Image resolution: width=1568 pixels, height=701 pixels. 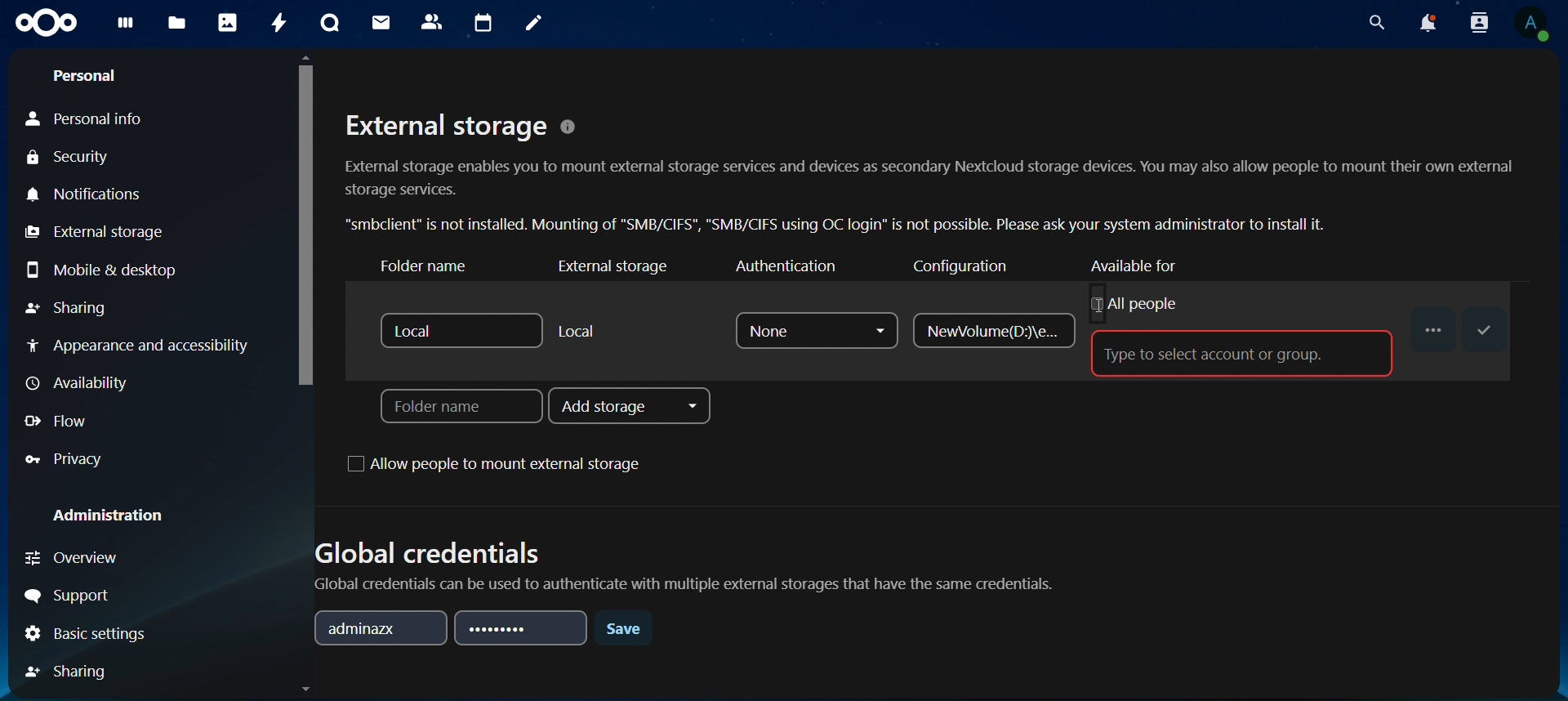 I want to click on support, so click(x=73, y=592).